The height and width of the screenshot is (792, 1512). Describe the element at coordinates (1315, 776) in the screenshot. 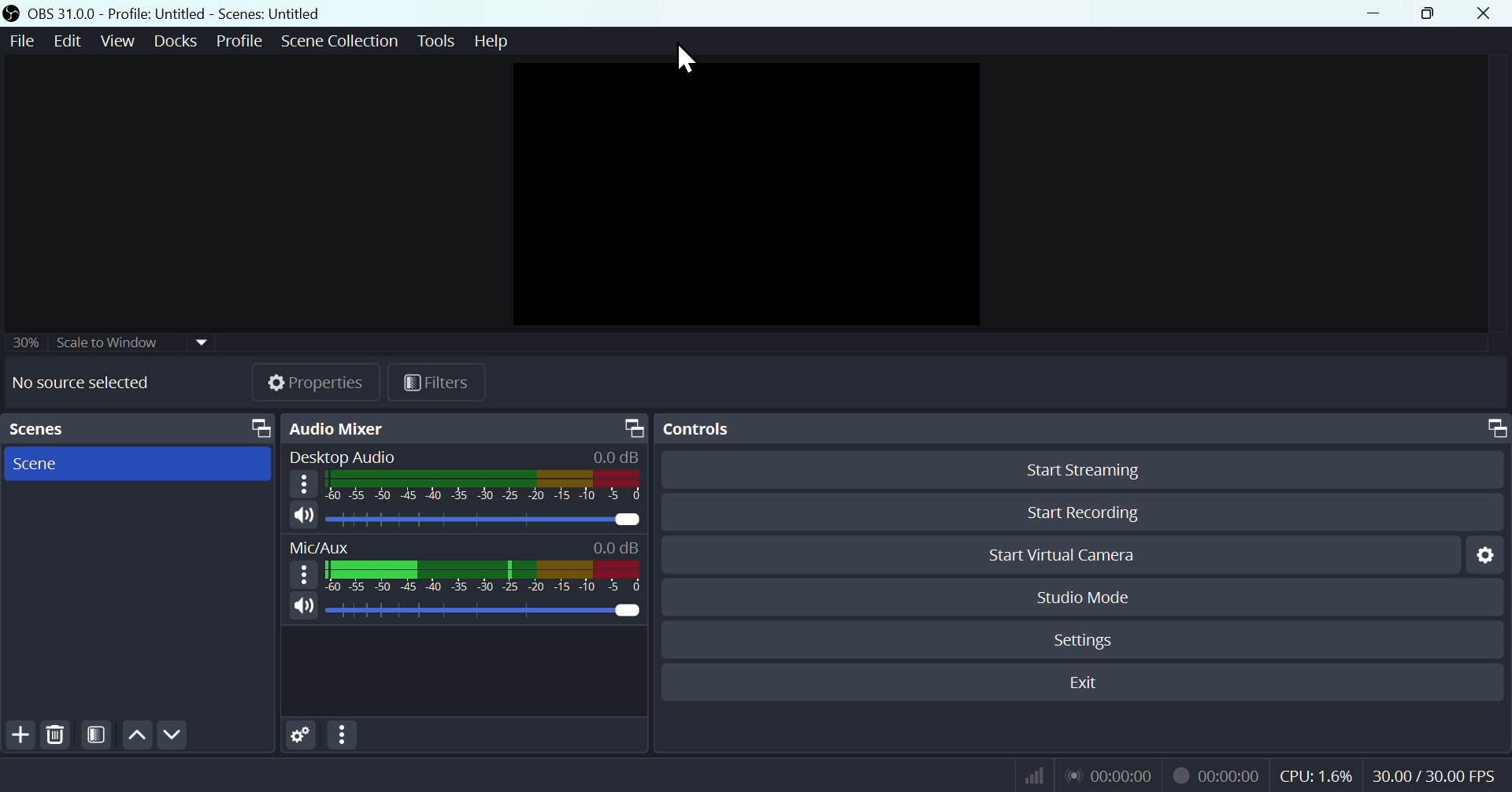

I see `CPU Usage` at that location.